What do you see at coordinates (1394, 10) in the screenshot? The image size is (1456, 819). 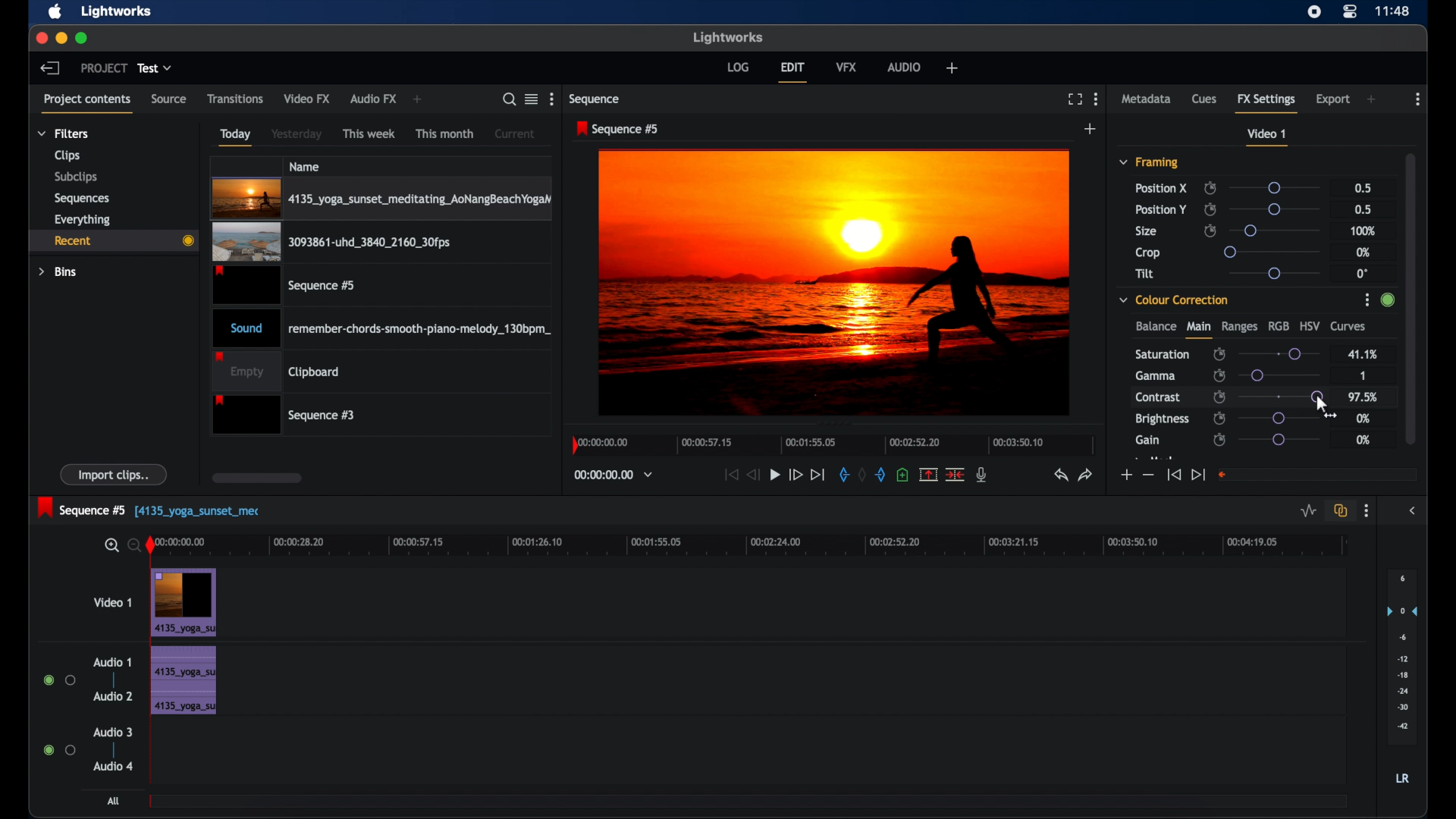 I see `time` at bounding box center [1394, 10].